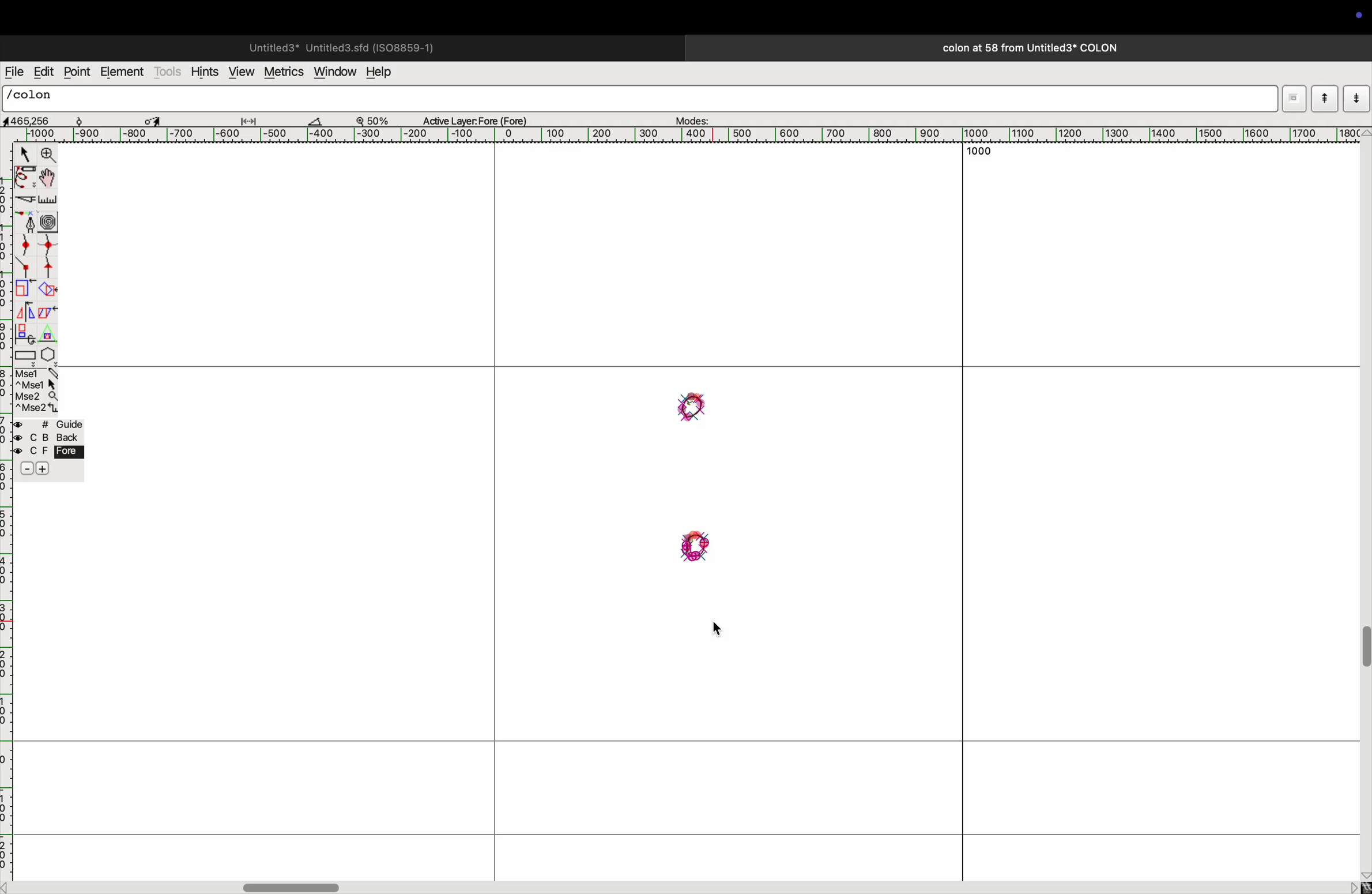 The height and width of the screenshot is (894, 1372). What do you see at coordinates (50, 314) in the screenshot?
I see `copy` at bounding box center [50, 314].